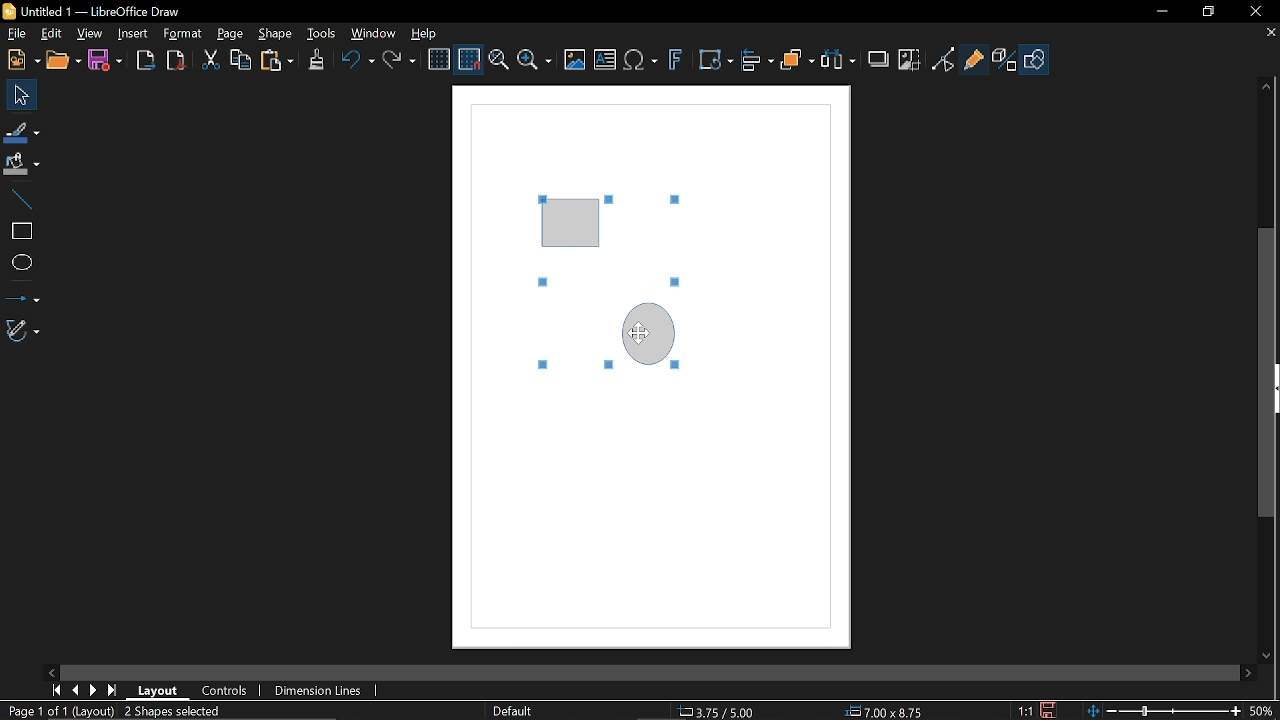  What do you see at coordinates (316, 691) in the screenshot?
I see `Dimension units` at bounding box center [316, 691].